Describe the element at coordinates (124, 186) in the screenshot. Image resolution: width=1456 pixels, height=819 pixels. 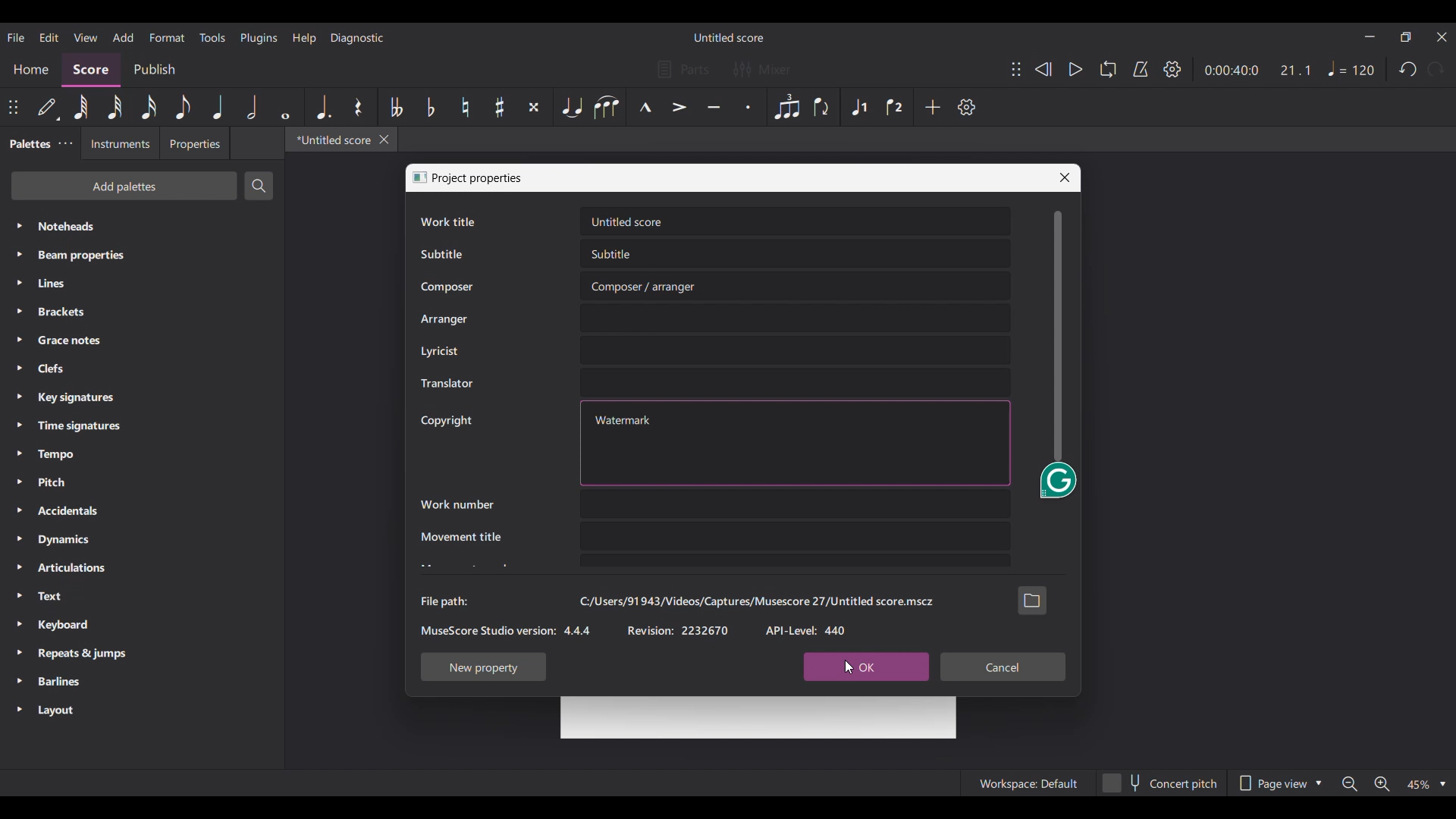
I see `Add palettes` at that location.